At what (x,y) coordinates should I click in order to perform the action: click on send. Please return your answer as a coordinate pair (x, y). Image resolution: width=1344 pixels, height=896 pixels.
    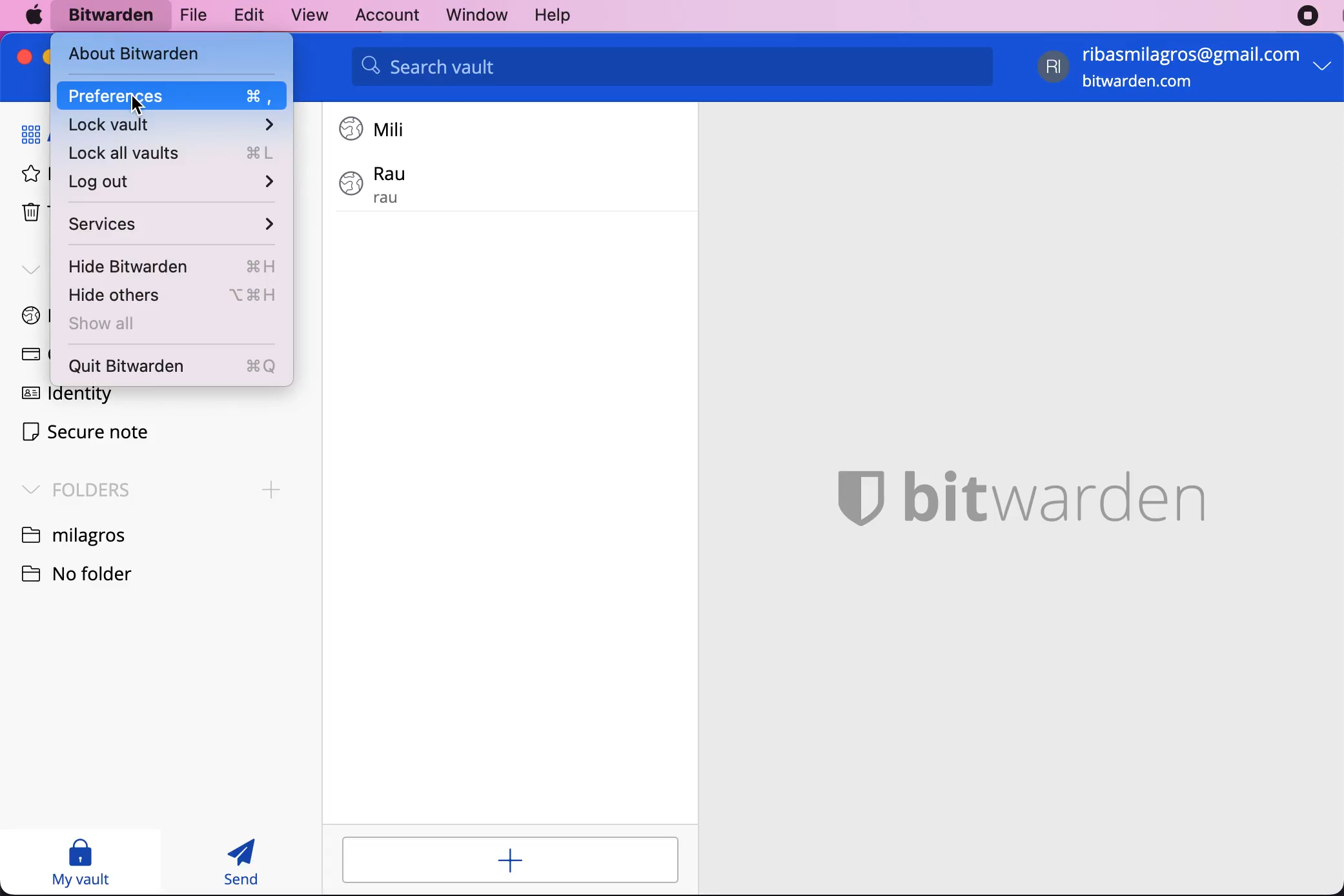
    Looking at the image, I should click on (243, 862).